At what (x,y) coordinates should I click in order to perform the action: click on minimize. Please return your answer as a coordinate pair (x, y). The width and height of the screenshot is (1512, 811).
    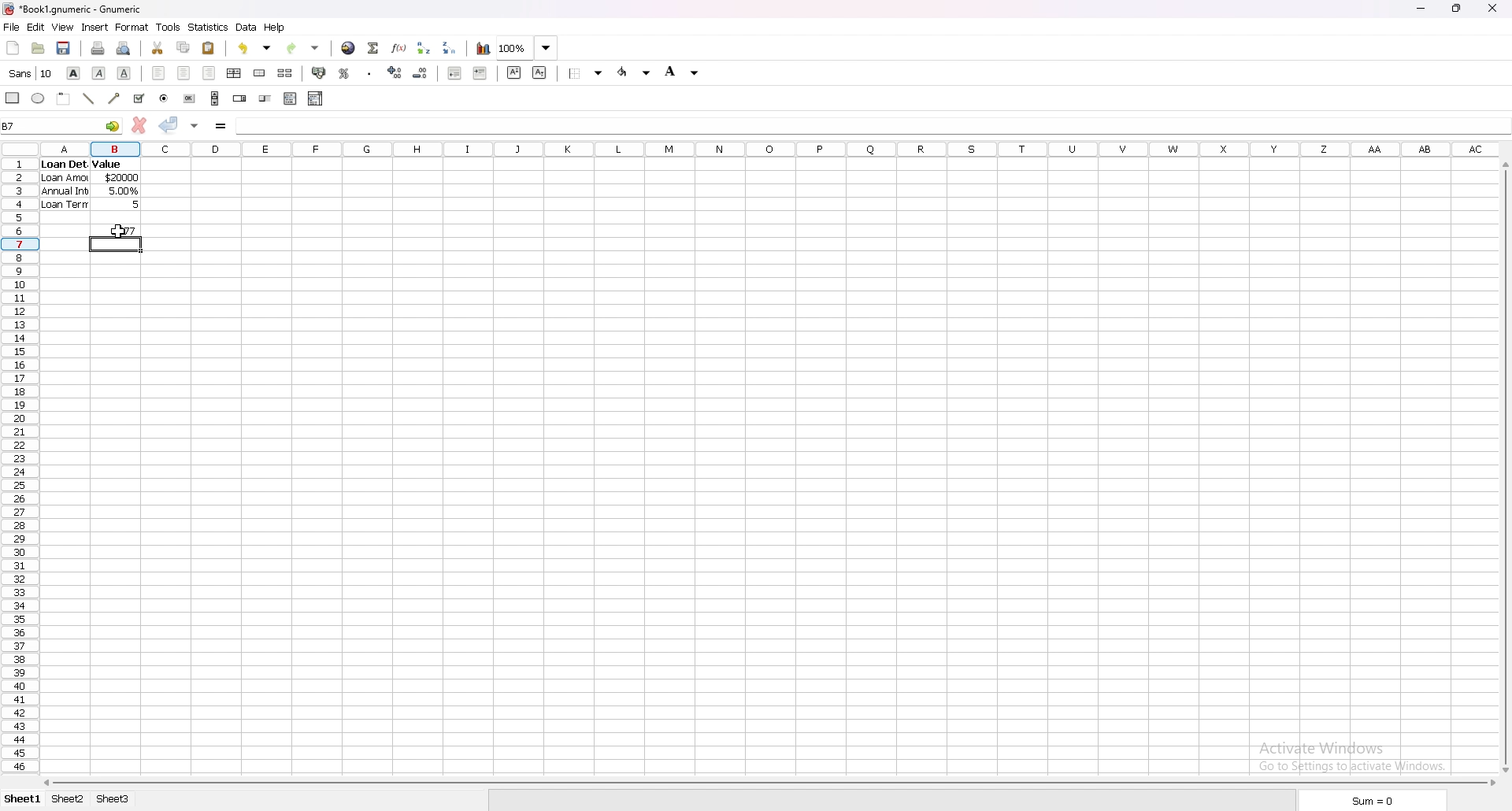
    Looking at the image, I should click on (1421, 9).